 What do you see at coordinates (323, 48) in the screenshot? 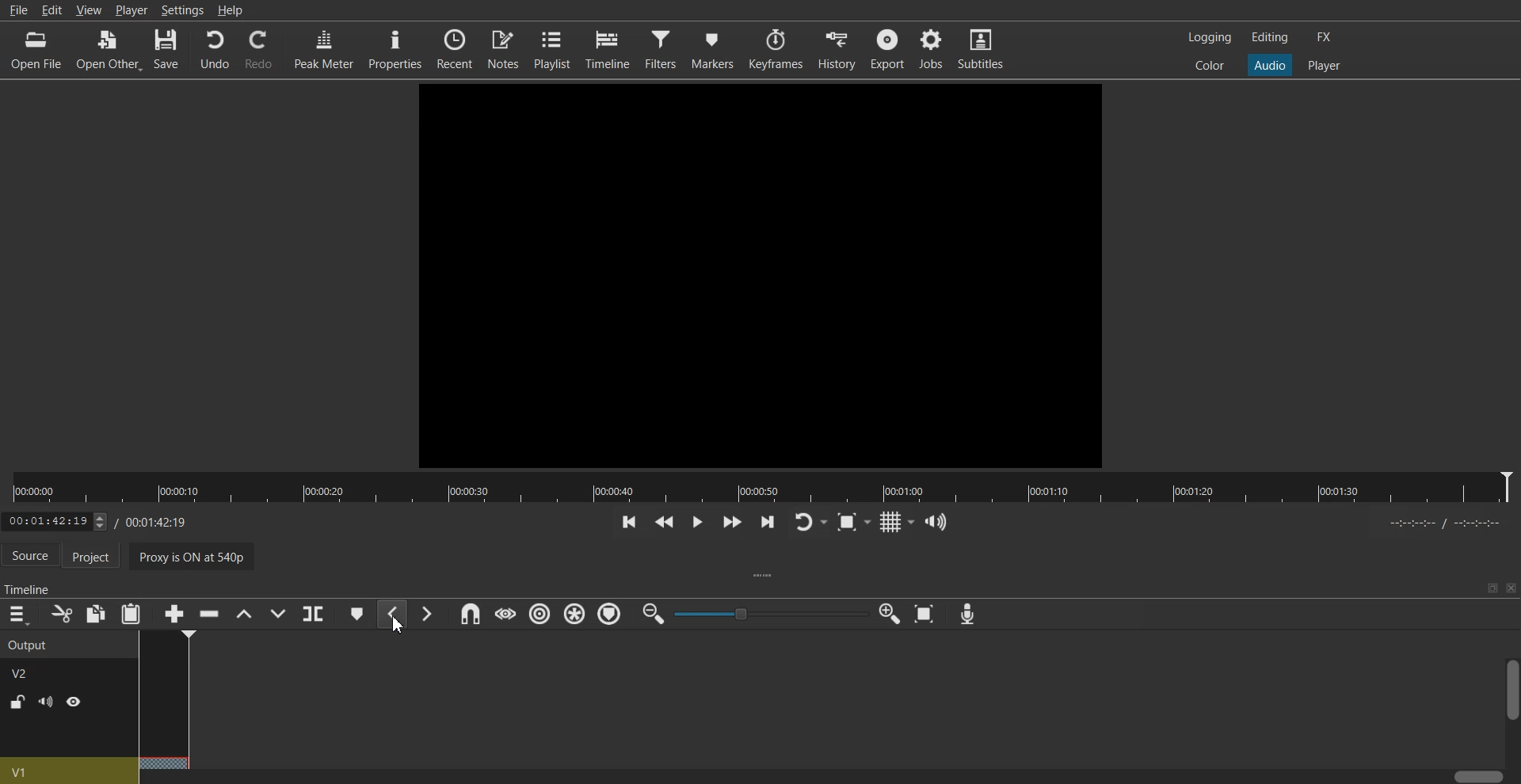
I see `Peak Meter` at bounding box center [323, 48].